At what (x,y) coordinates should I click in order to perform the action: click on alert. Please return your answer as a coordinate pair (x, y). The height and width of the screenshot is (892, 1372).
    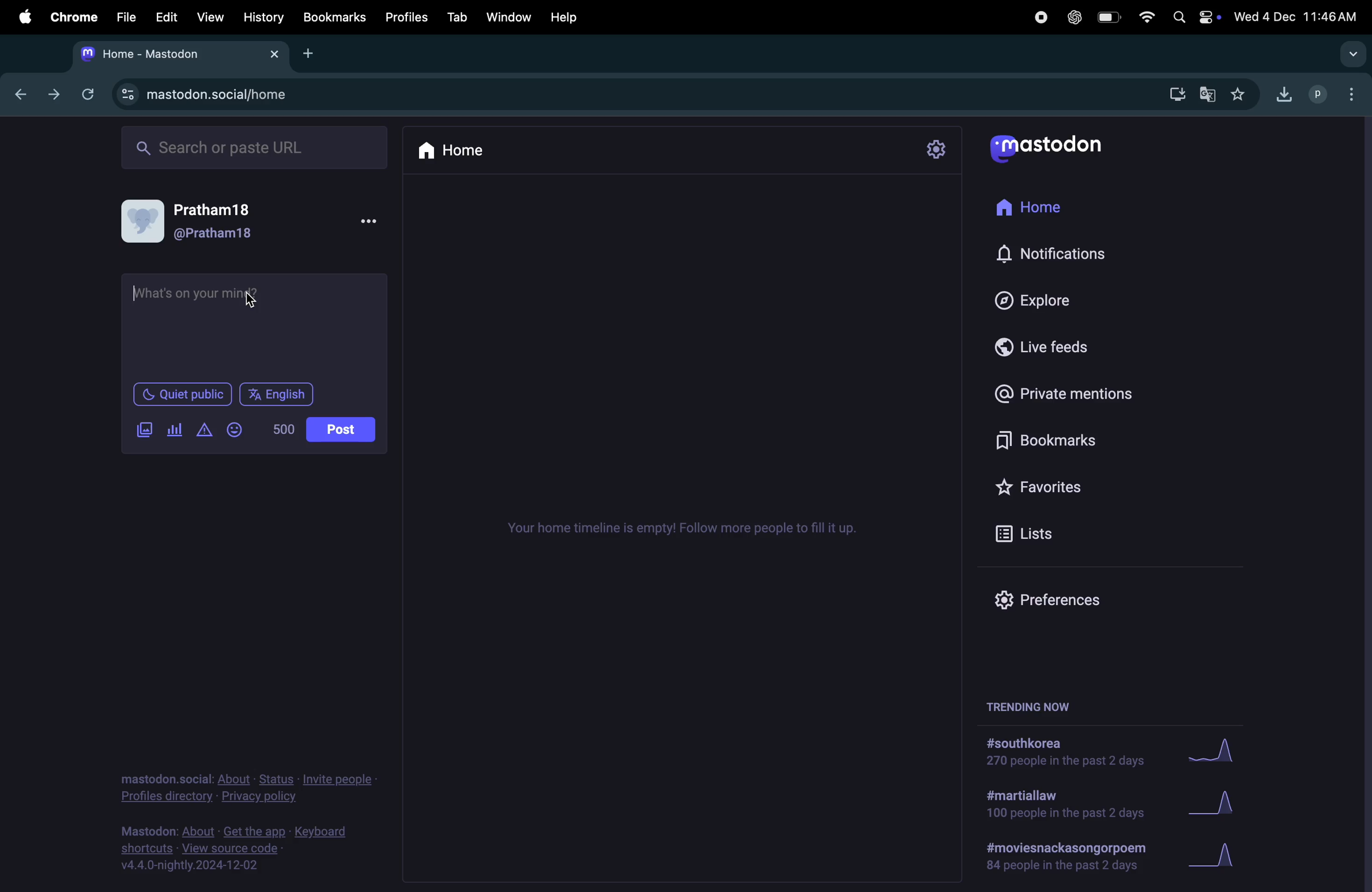
    Looking at the image, I should click on (207, 429).